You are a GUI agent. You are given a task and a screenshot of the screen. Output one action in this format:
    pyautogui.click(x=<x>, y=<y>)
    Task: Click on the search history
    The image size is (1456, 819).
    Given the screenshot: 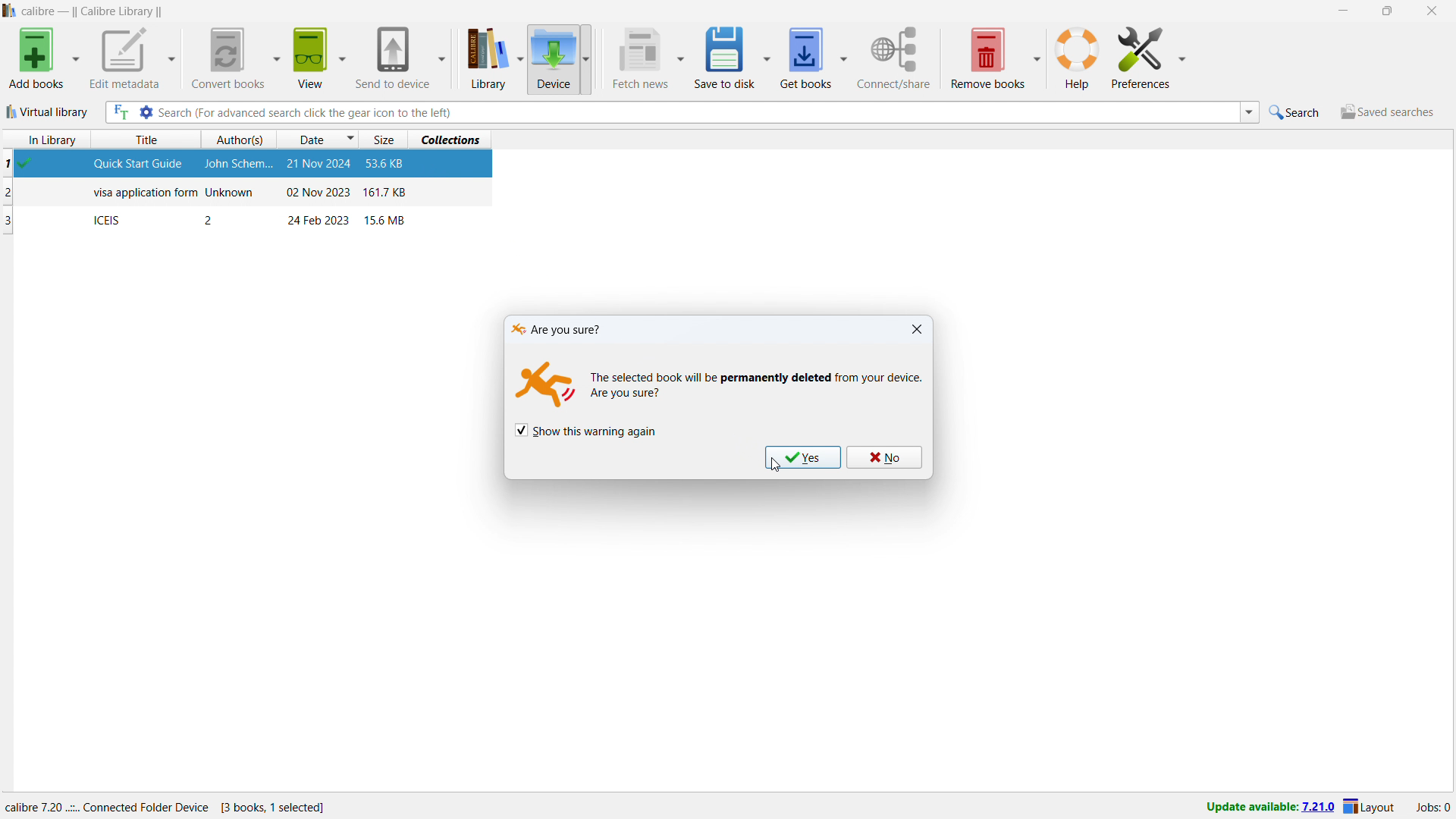 What is the action you would take?
    pyautogui.click(x=1249, y=112)
    